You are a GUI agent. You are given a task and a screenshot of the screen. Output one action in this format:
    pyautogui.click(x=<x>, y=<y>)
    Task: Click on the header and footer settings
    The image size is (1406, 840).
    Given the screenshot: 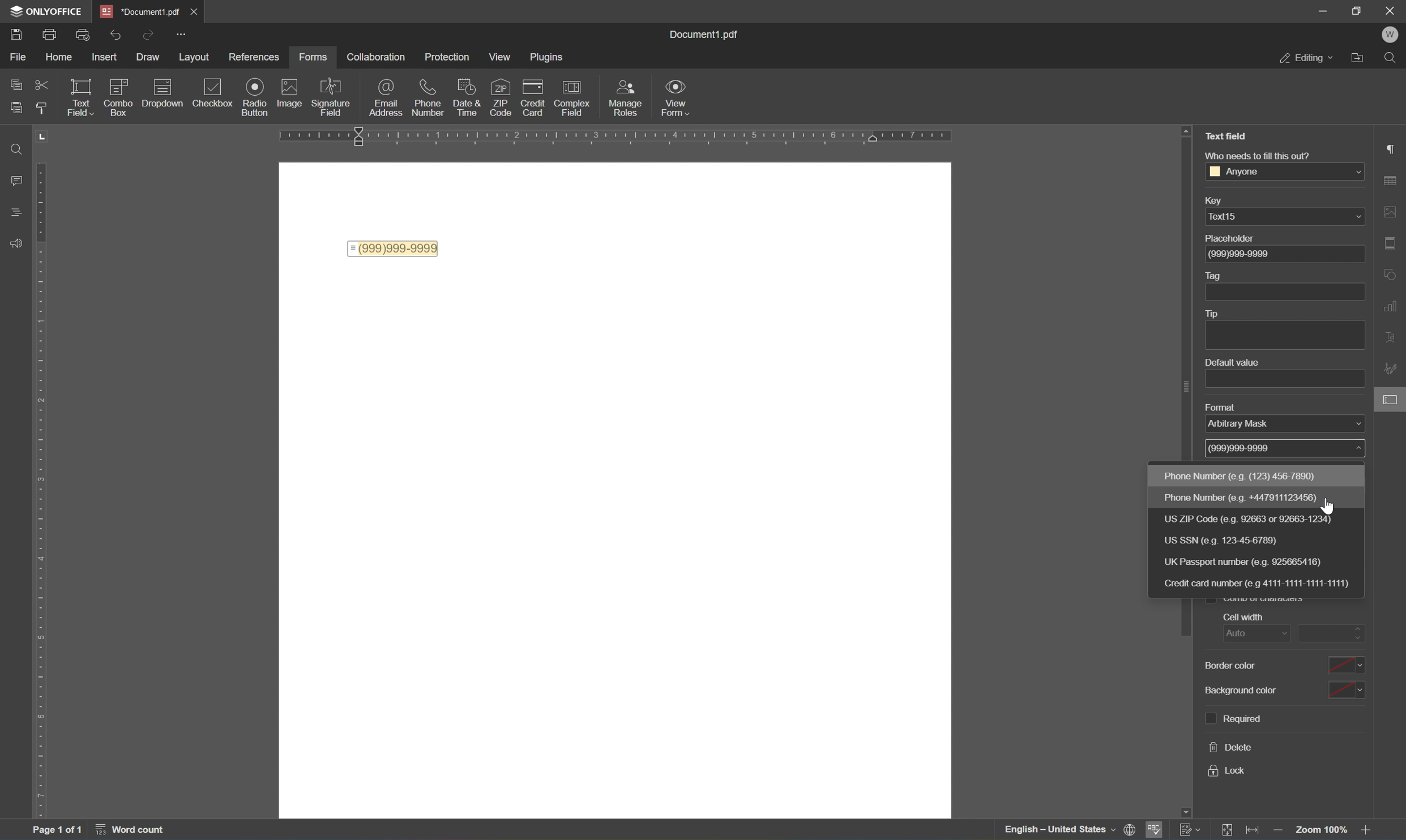 What is the action you would take?
    pyautogui.click(x=1394, y=247)
    